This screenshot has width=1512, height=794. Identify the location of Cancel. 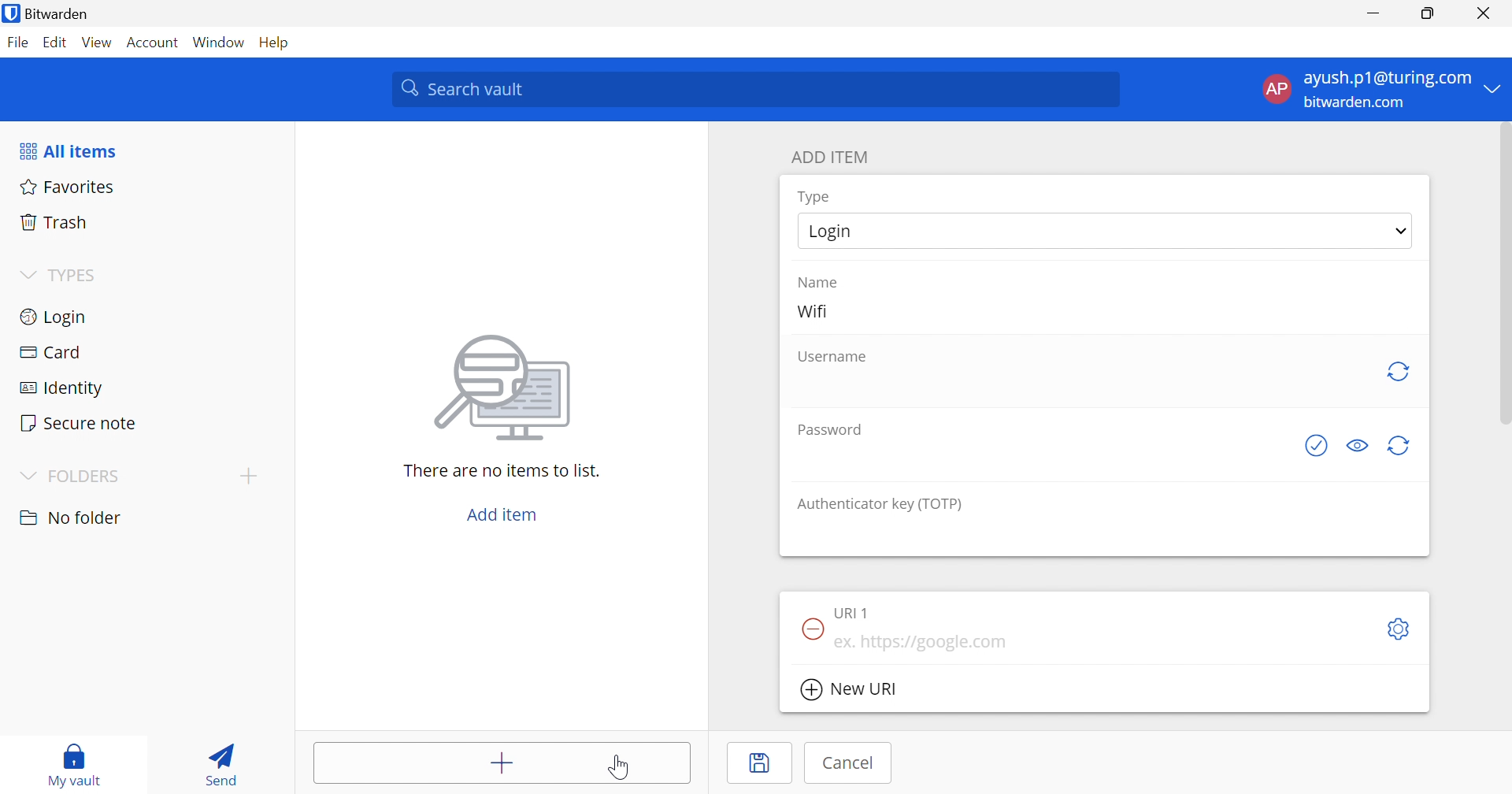
(850, 762).